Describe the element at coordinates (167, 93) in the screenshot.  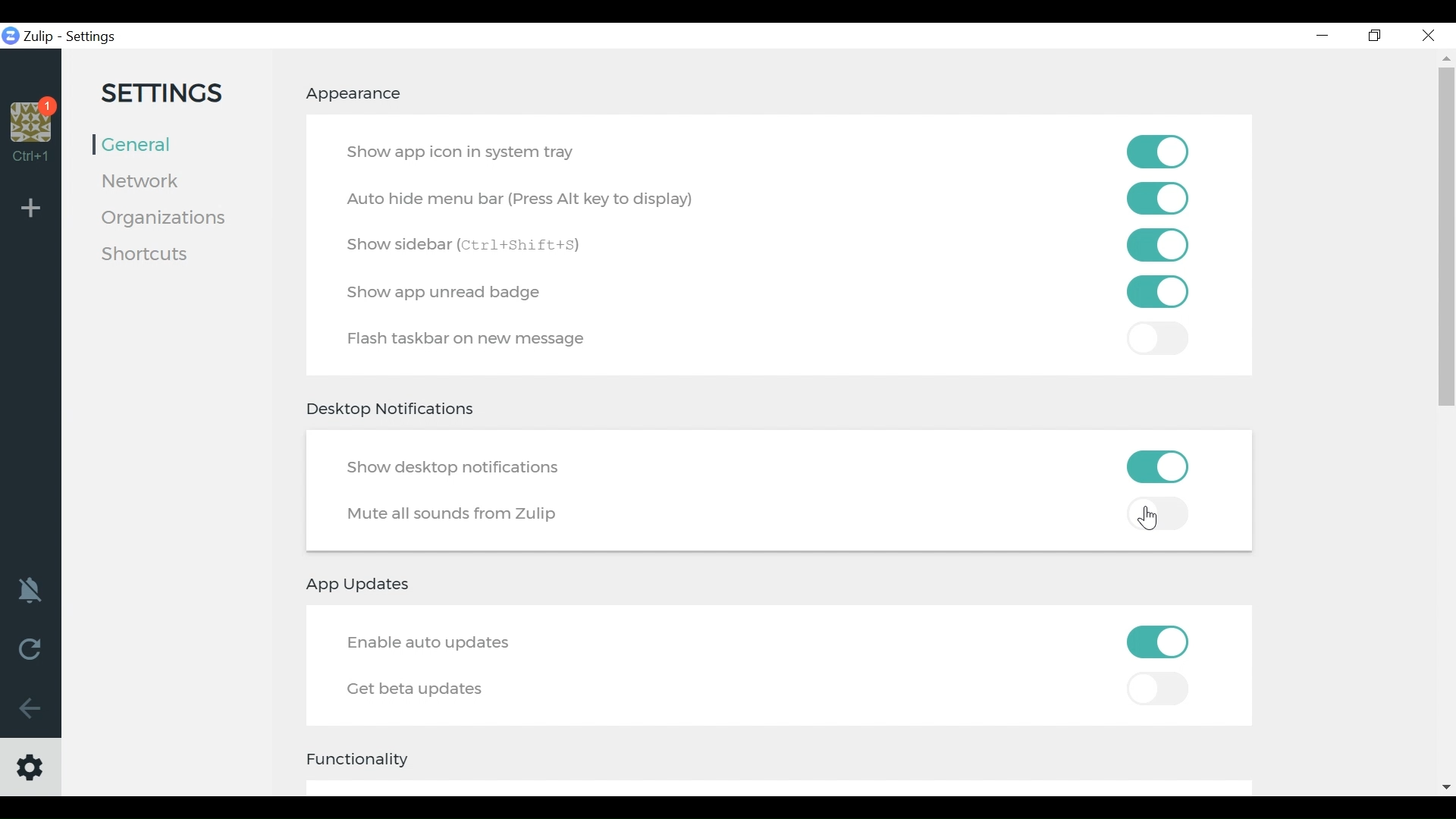
I see `Settings` at that location.